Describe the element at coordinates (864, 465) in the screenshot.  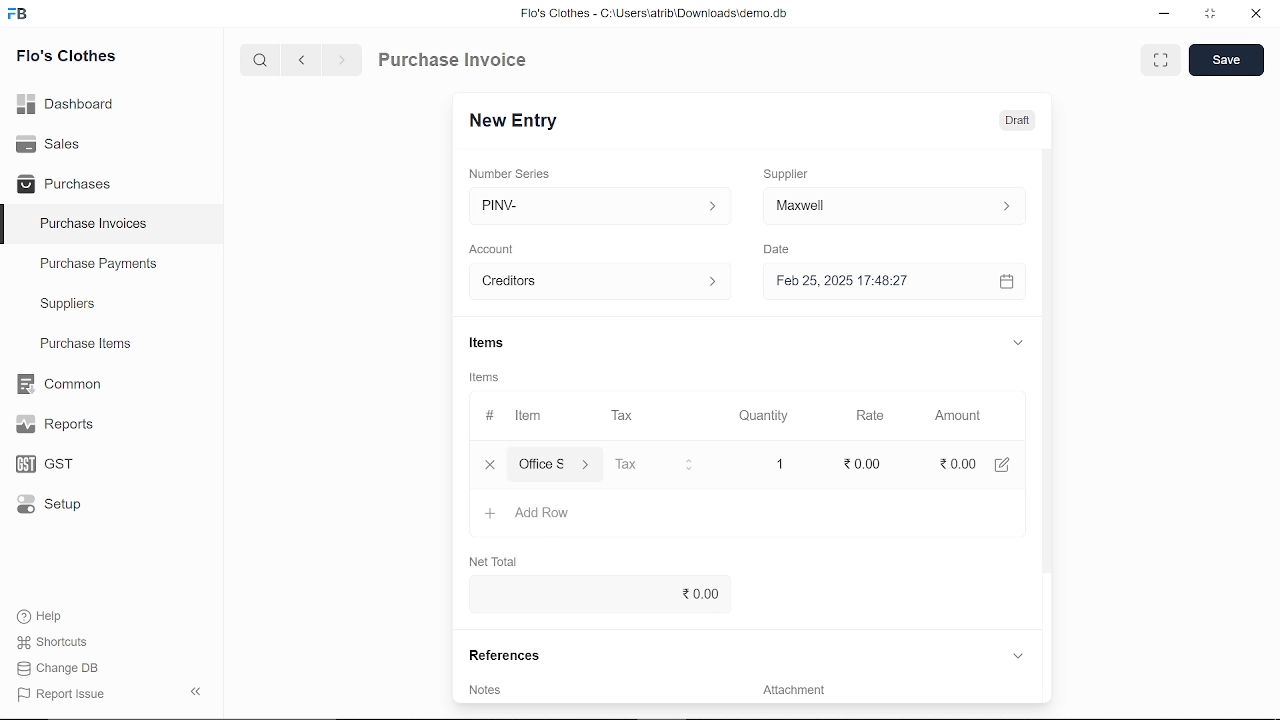
I see `0.00` at that location.